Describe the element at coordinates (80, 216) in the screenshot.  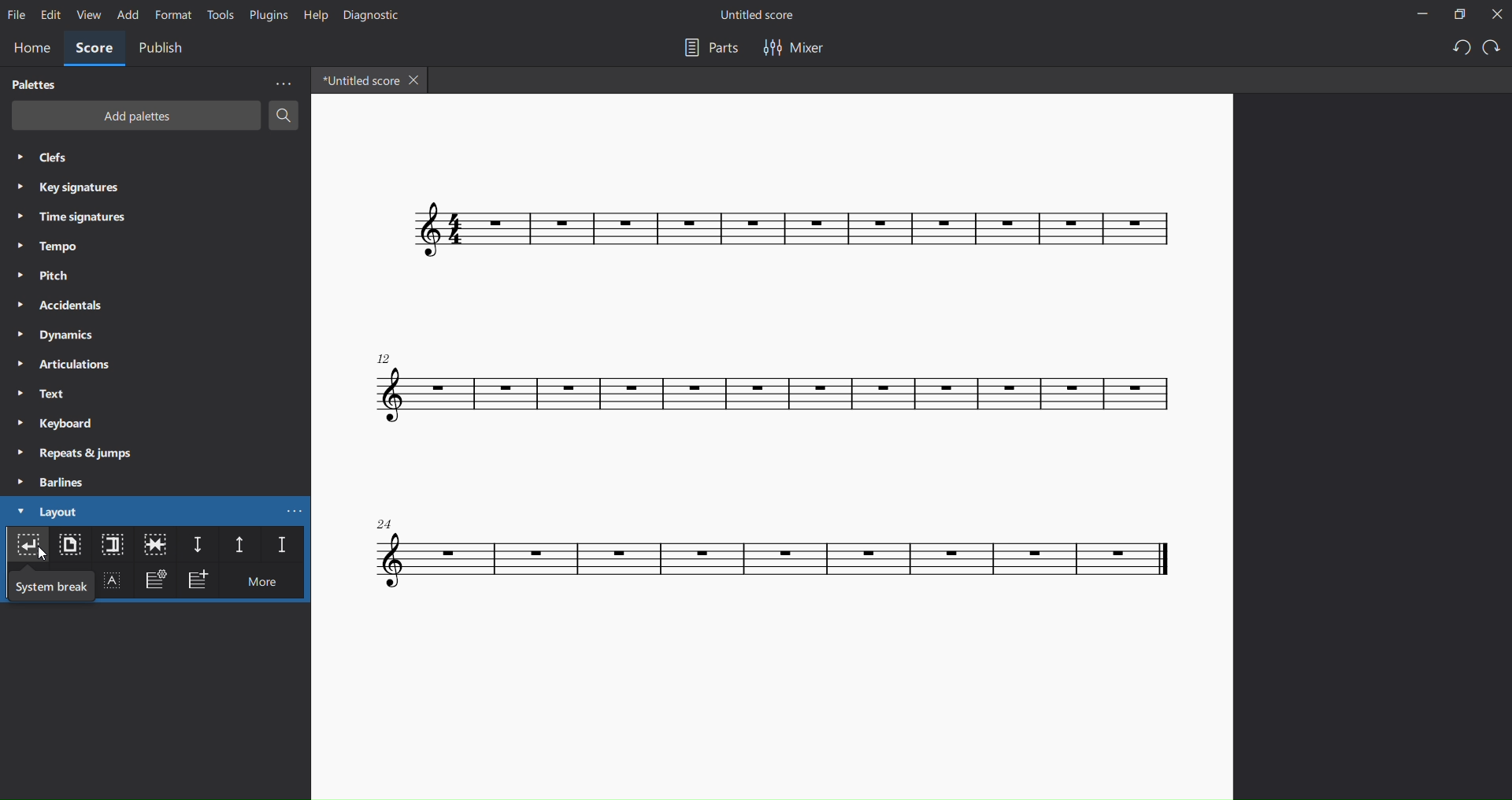
I see `time signatures` at that location.